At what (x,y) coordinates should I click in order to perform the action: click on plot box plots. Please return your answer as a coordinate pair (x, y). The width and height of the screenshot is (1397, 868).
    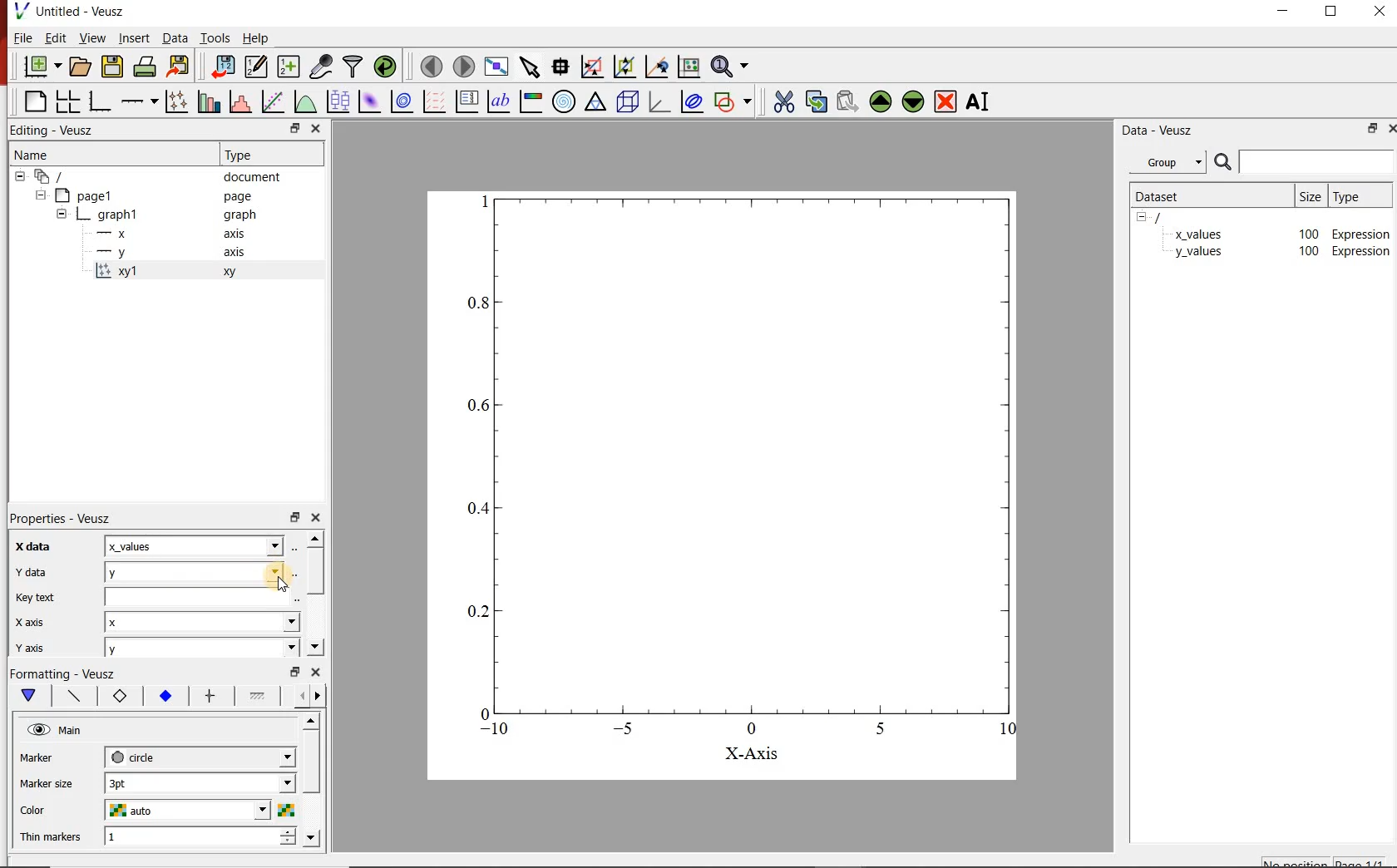
    Looking at the image, I should click on (336, 101).